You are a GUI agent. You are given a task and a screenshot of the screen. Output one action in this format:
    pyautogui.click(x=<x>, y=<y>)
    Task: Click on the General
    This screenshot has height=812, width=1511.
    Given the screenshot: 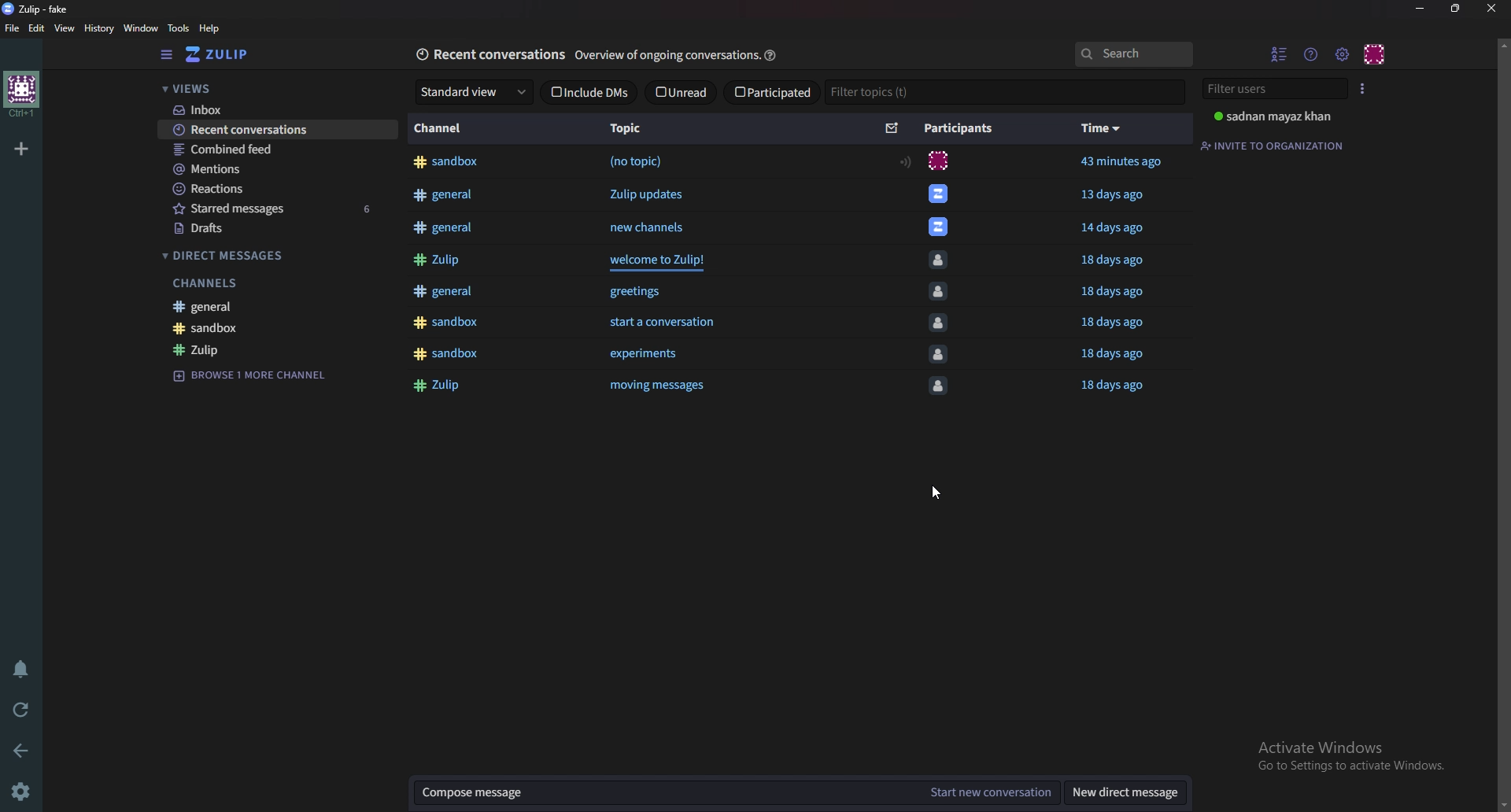 What is the action you would take?
    pyautogui.click(x=276, y=327)
    